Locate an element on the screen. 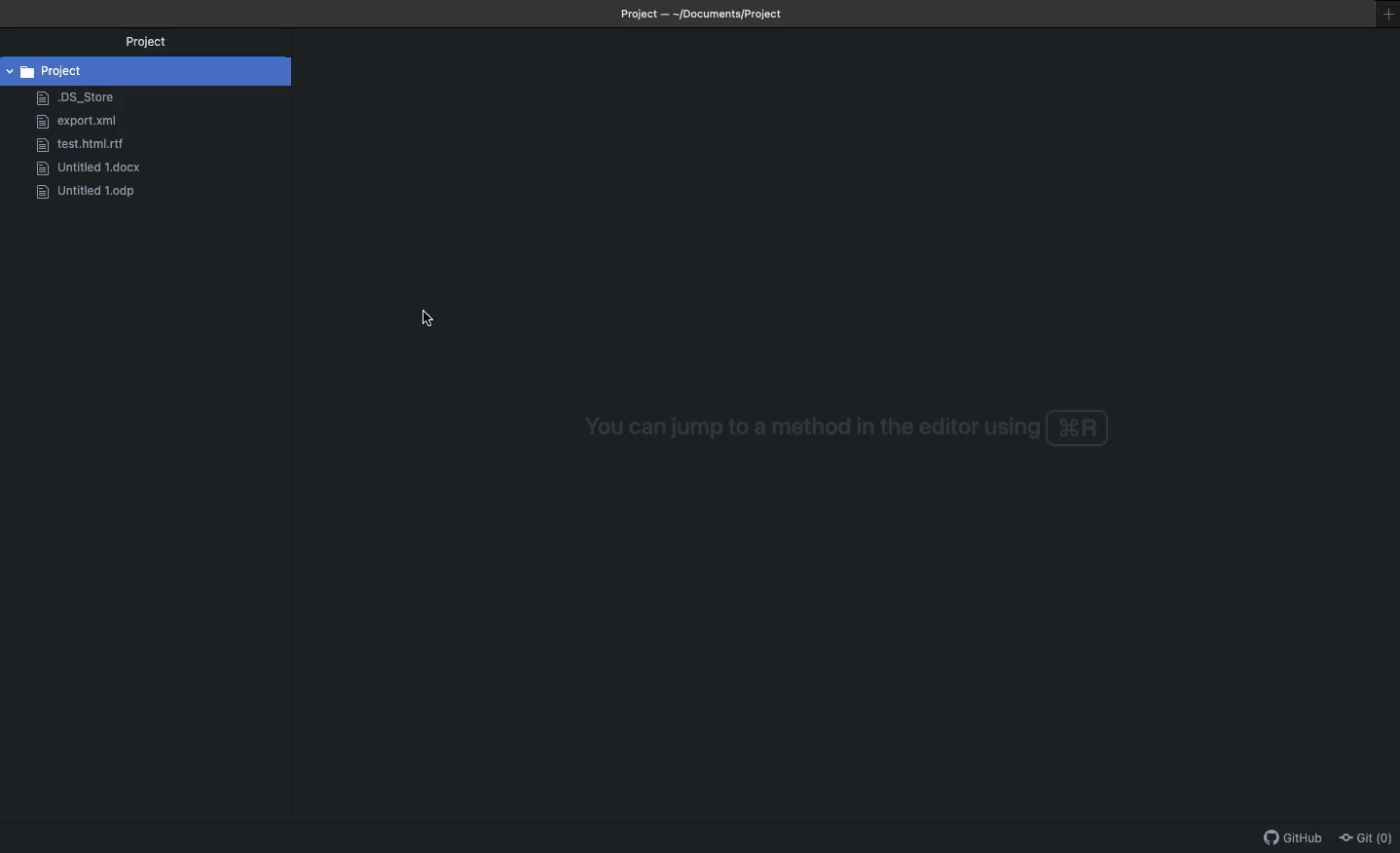 Image resolution: width=1400 pixels, height=853 pixels. Jump to editor  is located at coordinates (835, 427).